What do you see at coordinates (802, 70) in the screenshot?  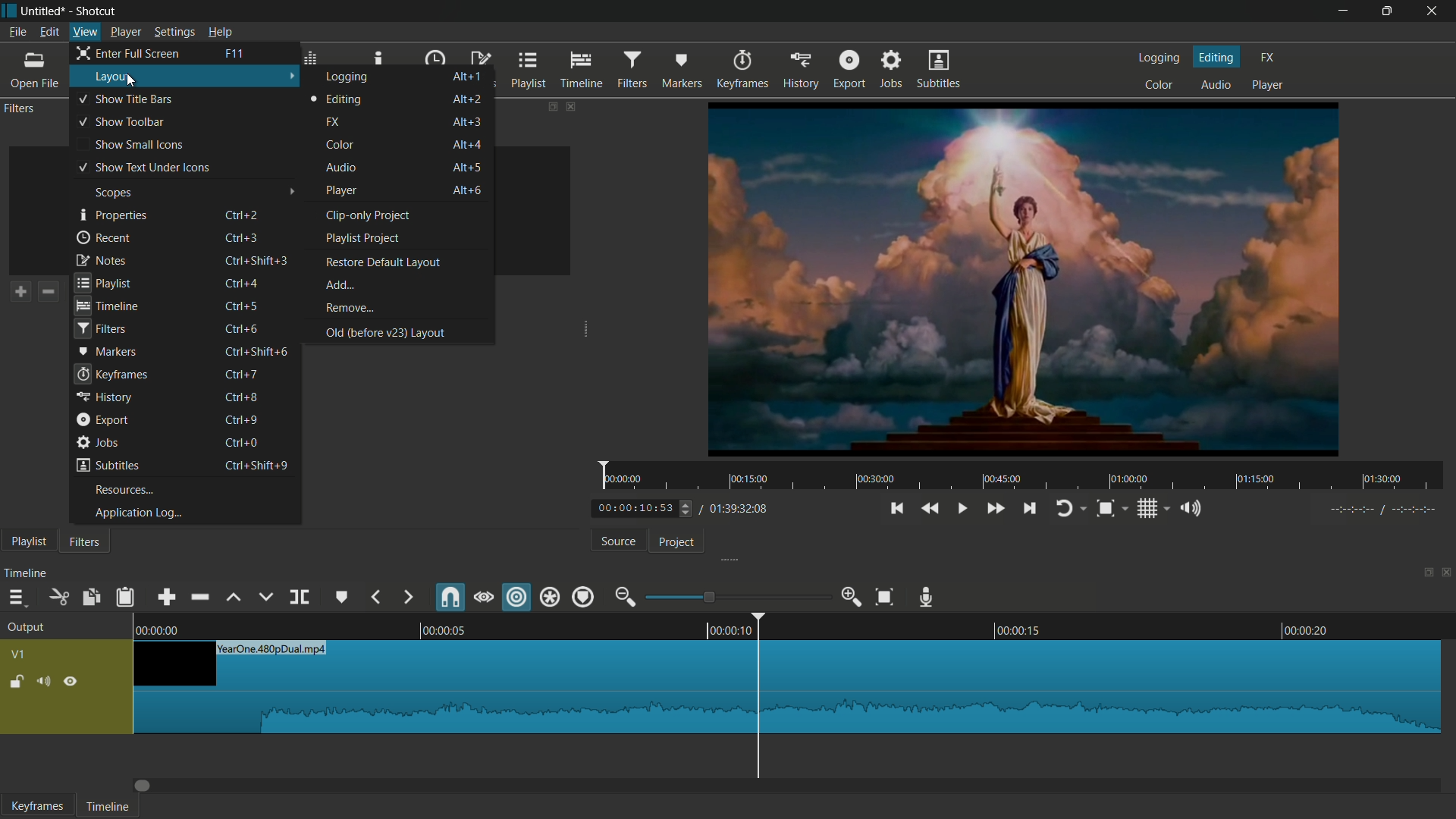 I see `history` at bounding box center [802, 70].